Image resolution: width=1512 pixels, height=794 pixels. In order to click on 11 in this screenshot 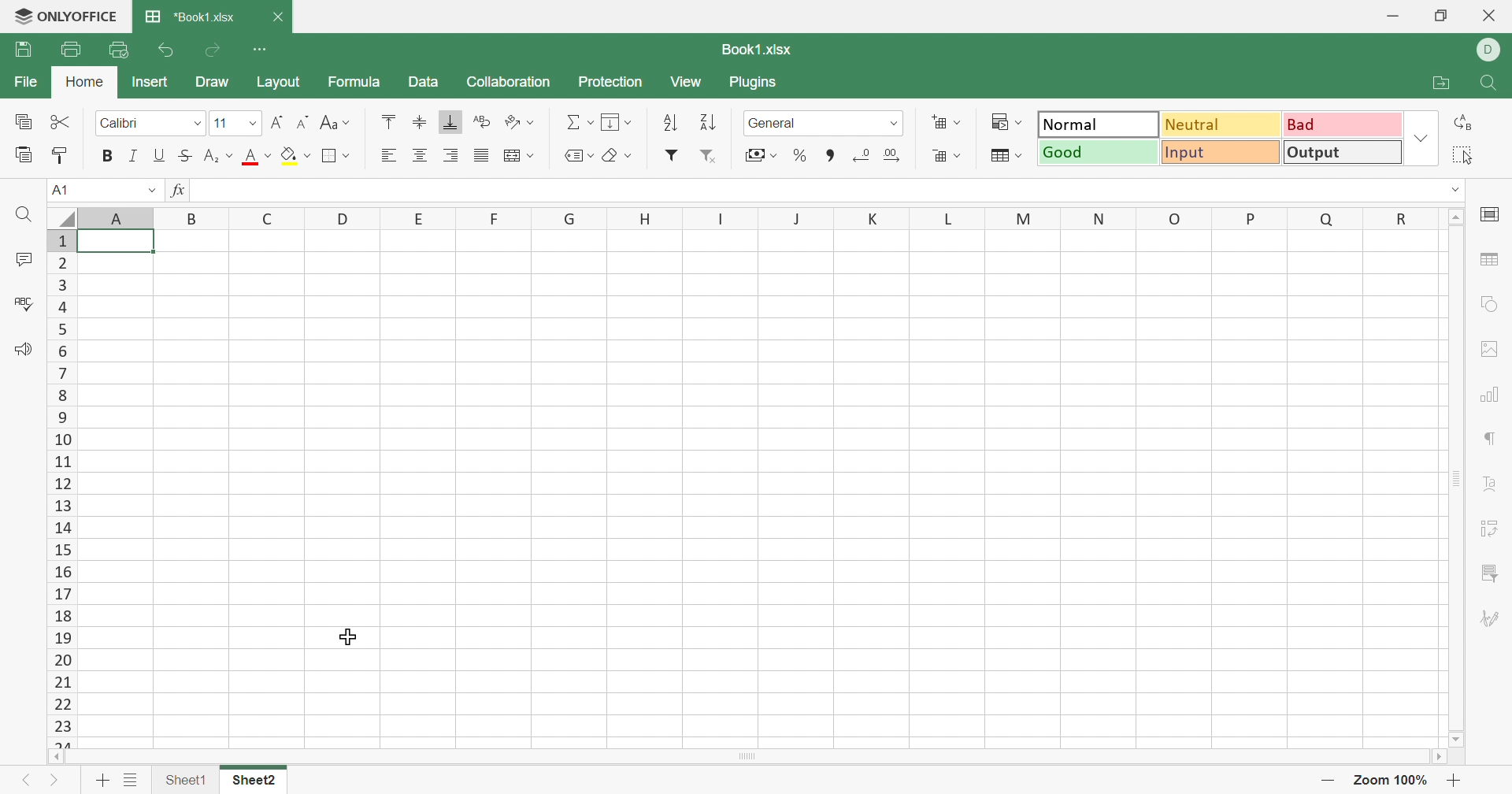, I will do `click(221, 124)`.